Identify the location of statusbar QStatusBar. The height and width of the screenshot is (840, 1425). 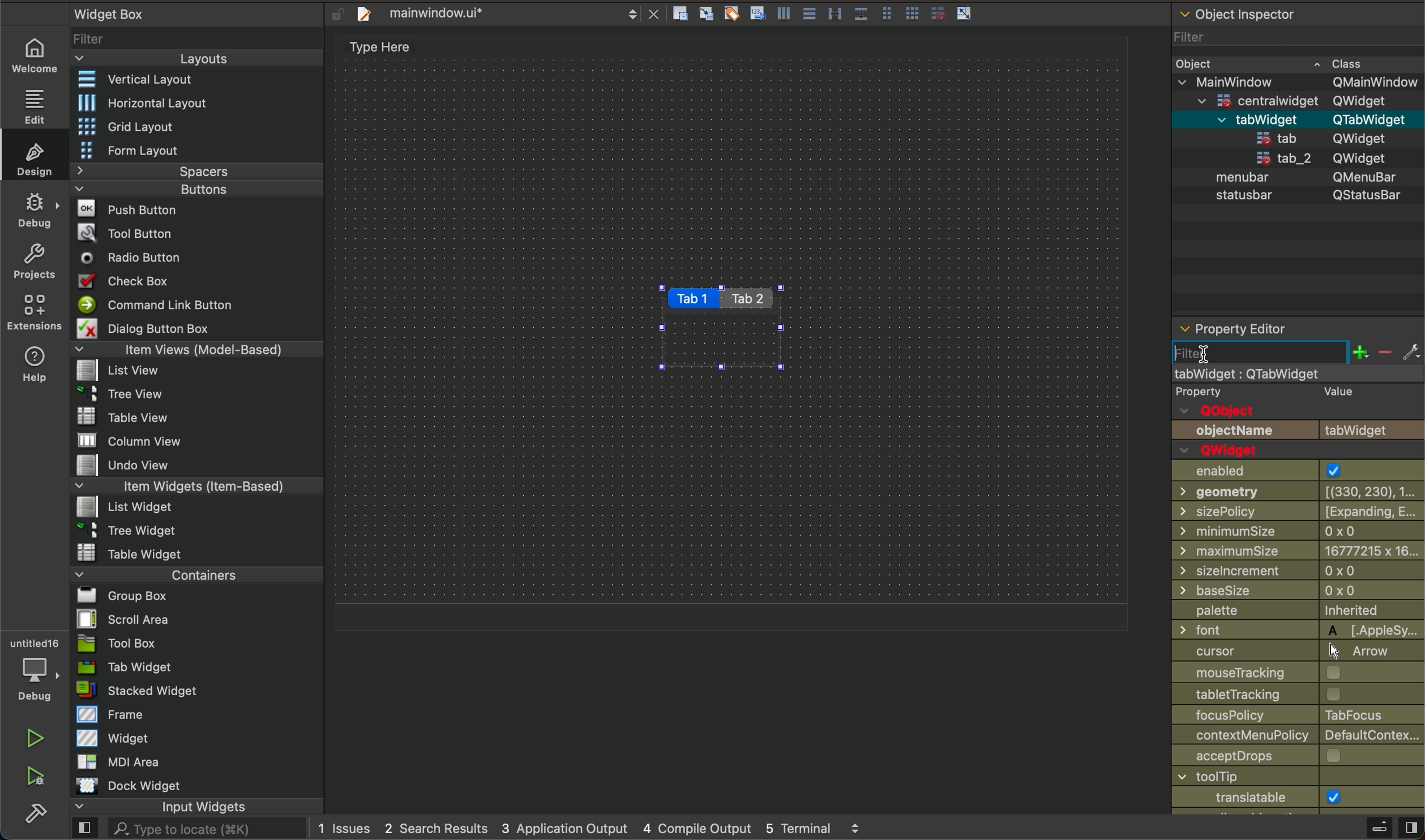
(1296, 138).